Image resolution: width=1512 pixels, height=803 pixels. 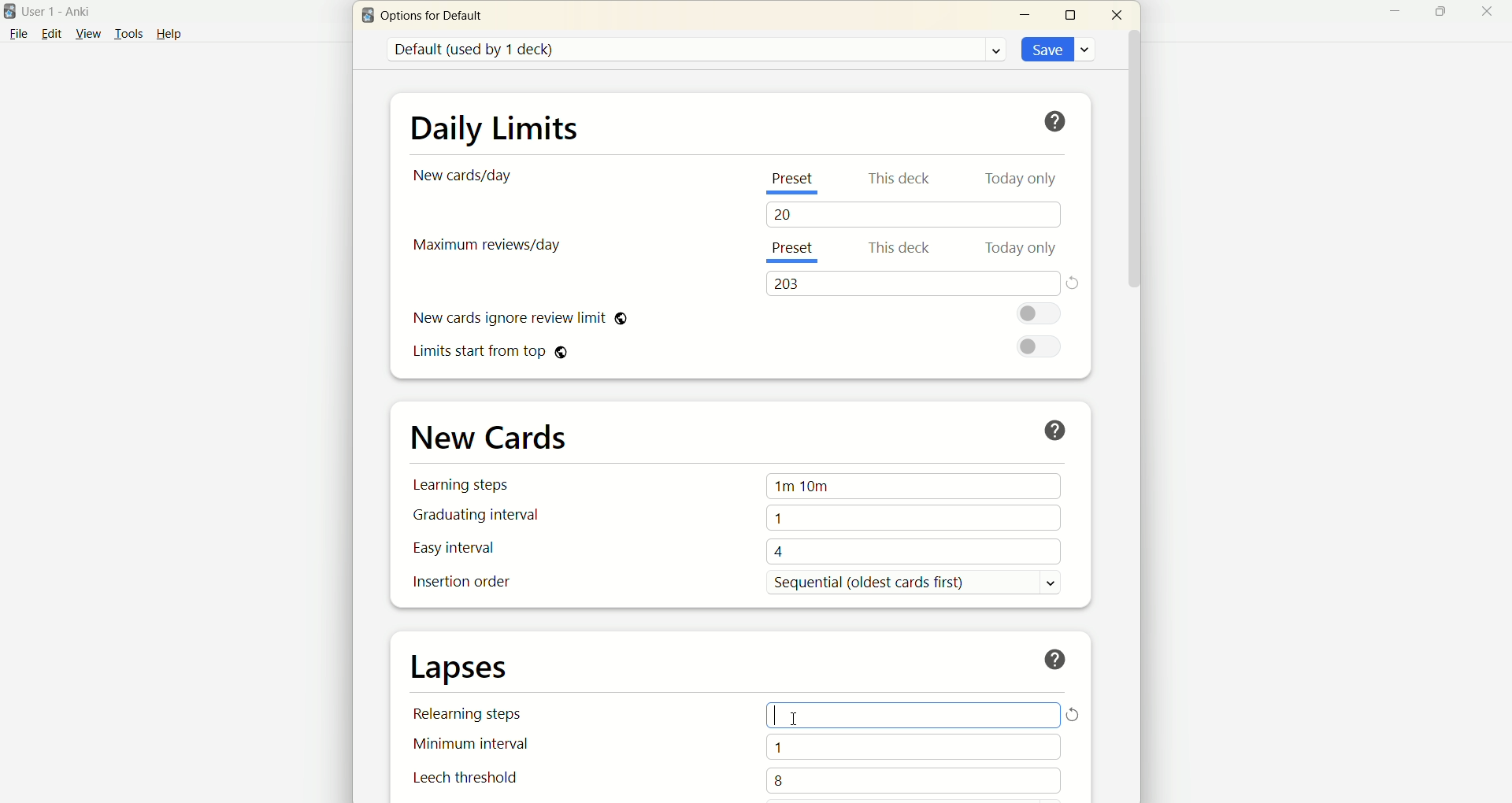 I want to click on 4, so click(x=915, y=550).